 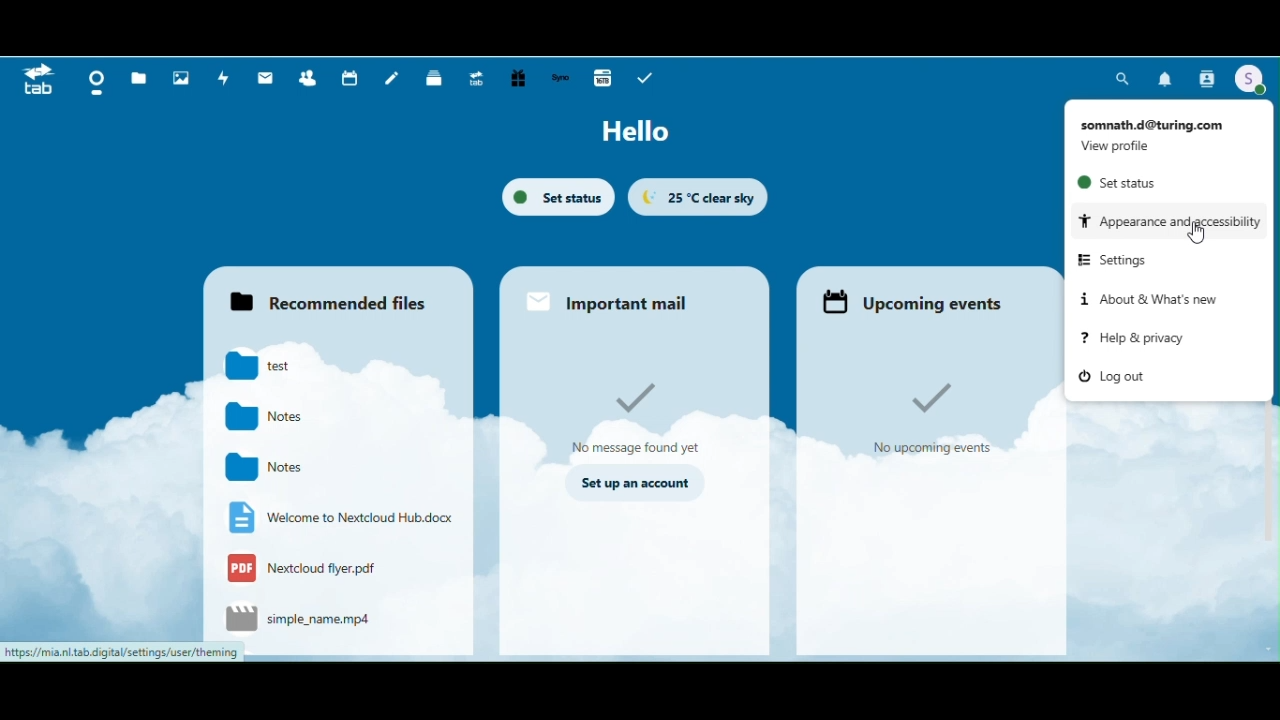 What do you see at coordinates (1168, 220) in the screenshot?
I see `Appearance and accessibility` at bounding box center [1168, 220].